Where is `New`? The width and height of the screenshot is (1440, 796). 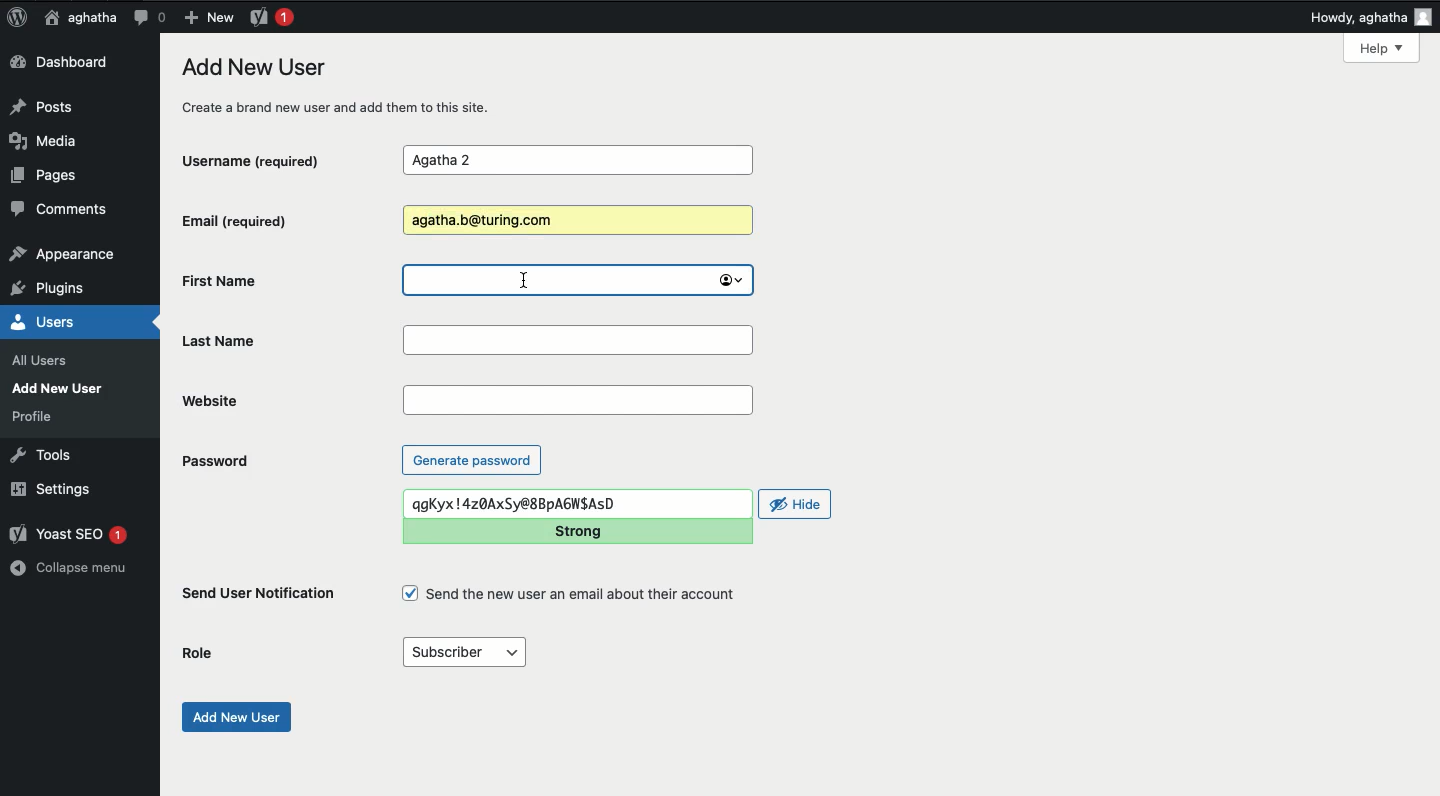
New is located at coordinates (208, 16).